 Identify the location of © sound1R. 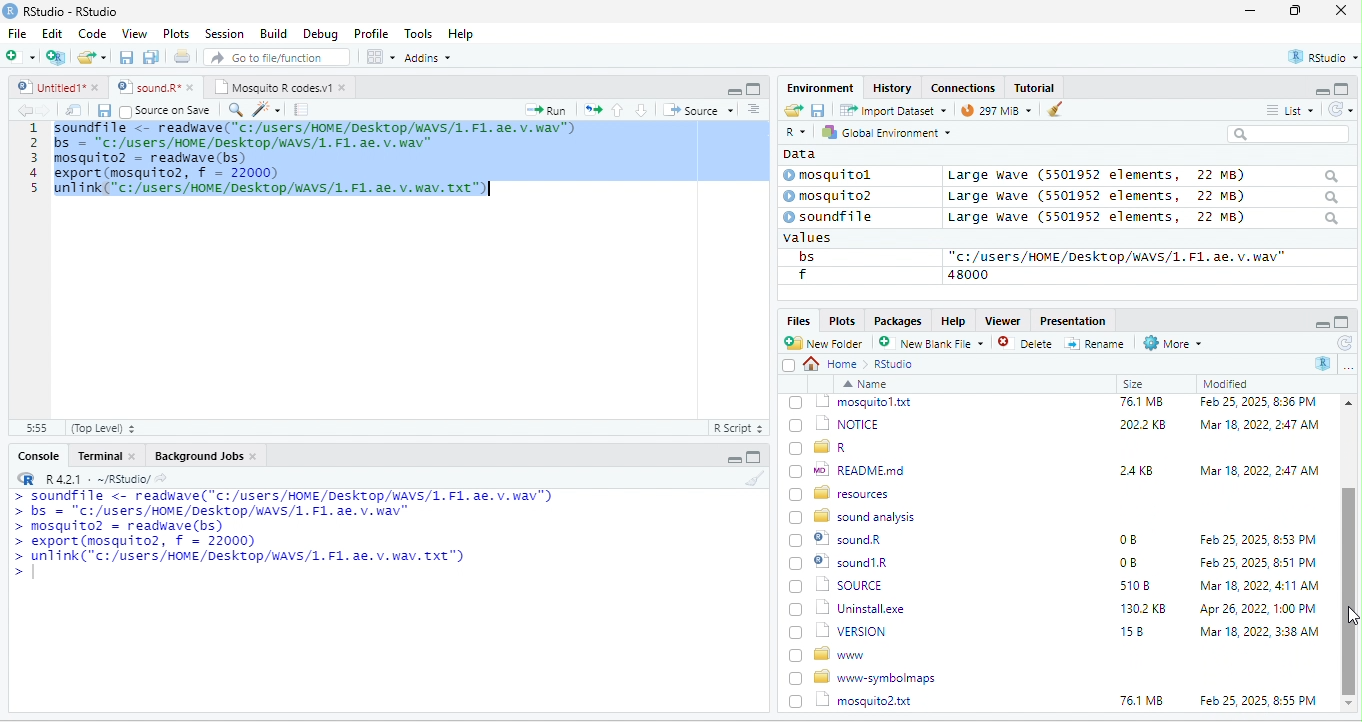
(842, 660).